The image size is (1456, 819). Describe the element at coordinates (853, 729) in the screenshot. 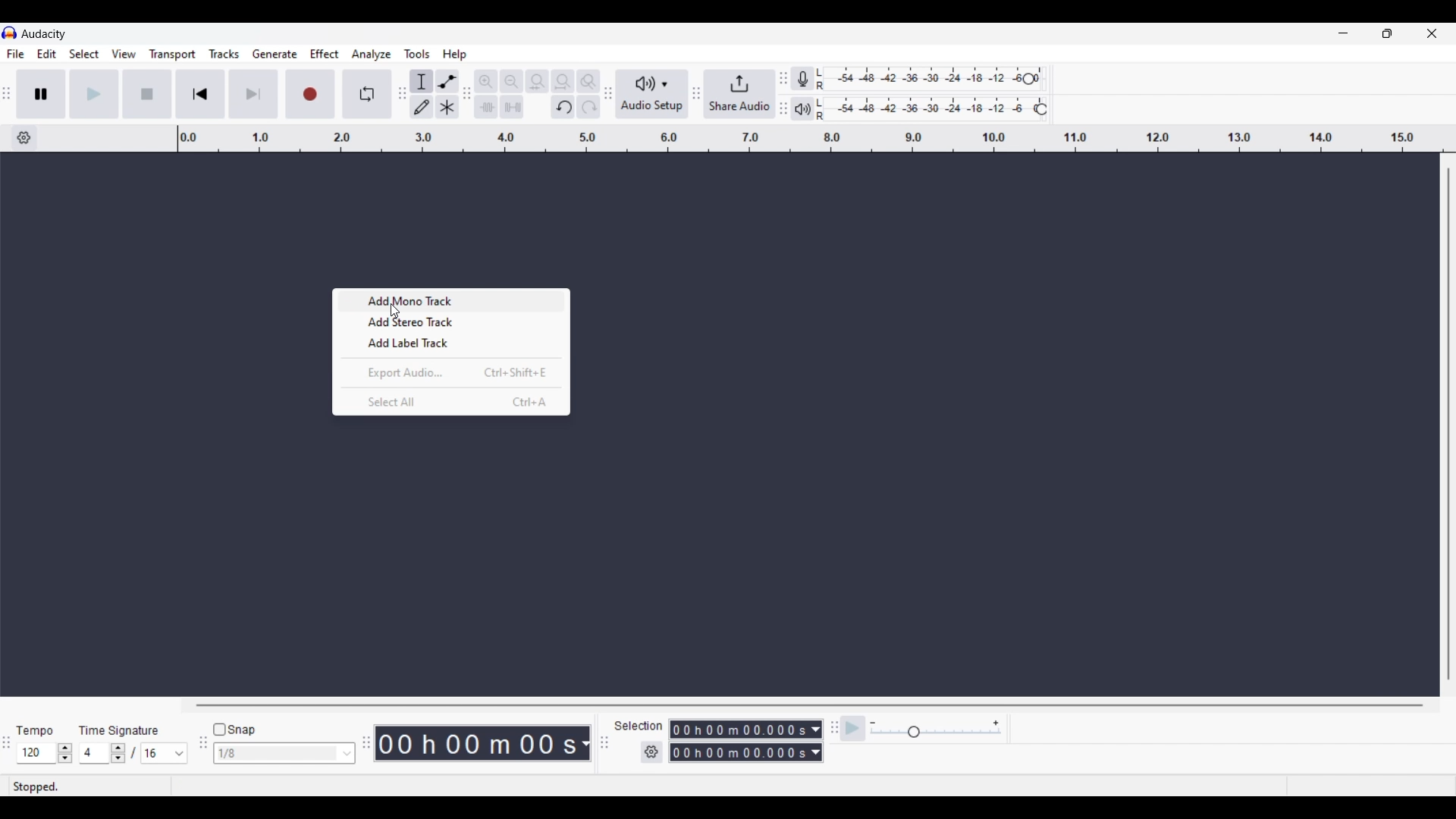

I see `Play-at-speed/Play-at-speed oncce` at that location.